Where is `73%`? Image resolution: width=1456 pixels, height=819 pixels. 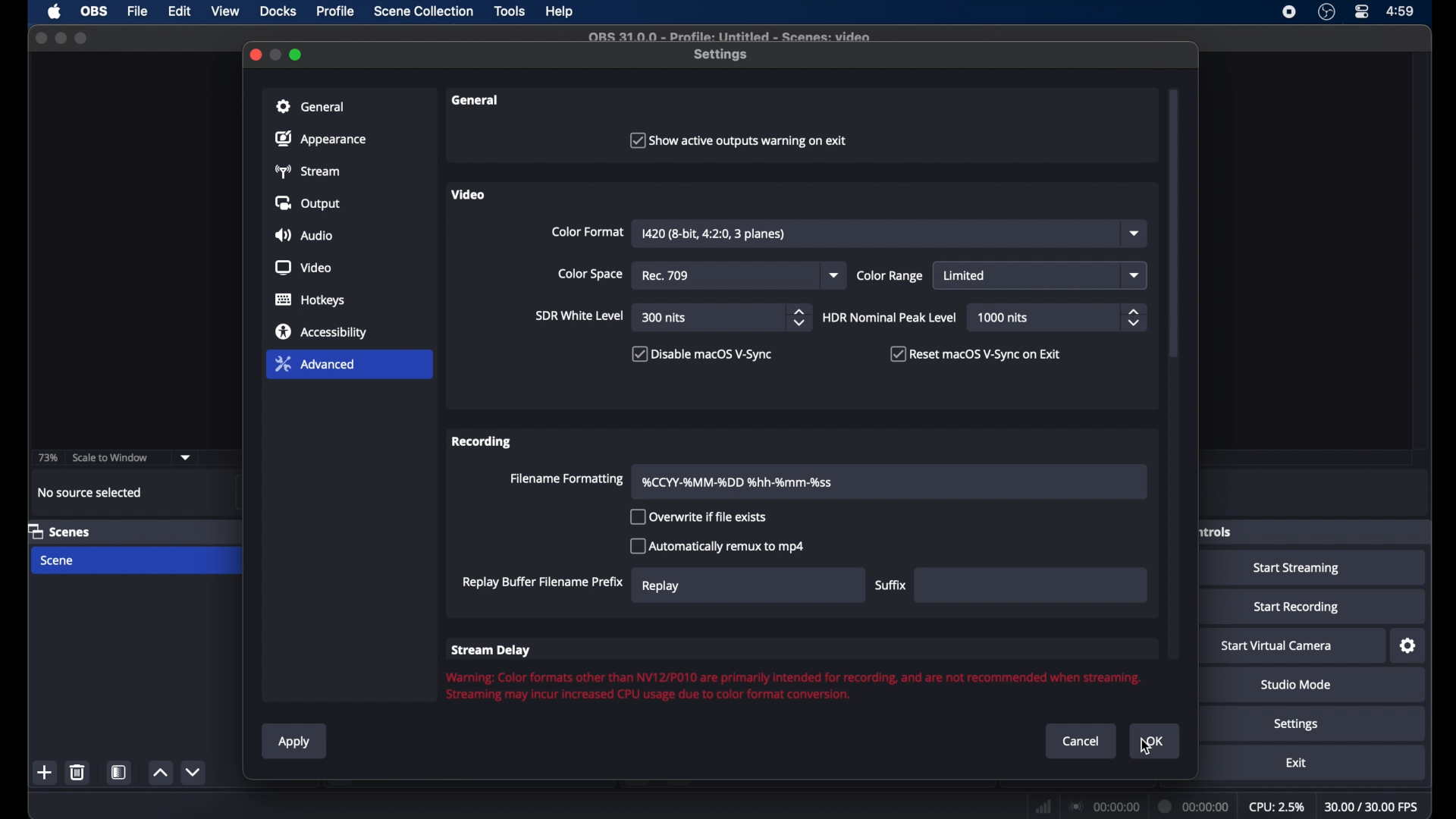 73% is located at coordinates (47, 457).